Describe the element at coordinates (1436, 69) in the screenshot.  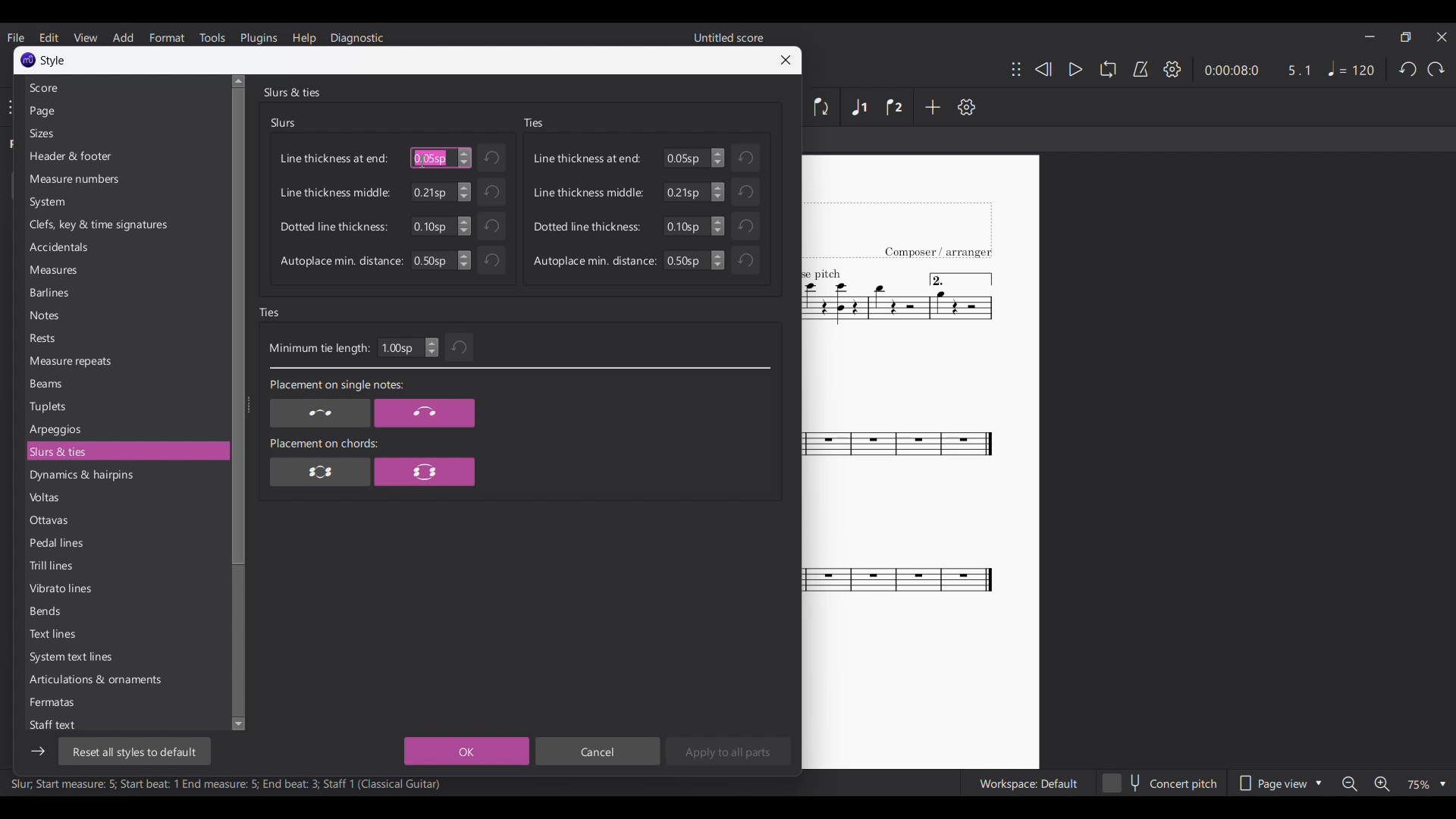
I see `Redo` at that location.